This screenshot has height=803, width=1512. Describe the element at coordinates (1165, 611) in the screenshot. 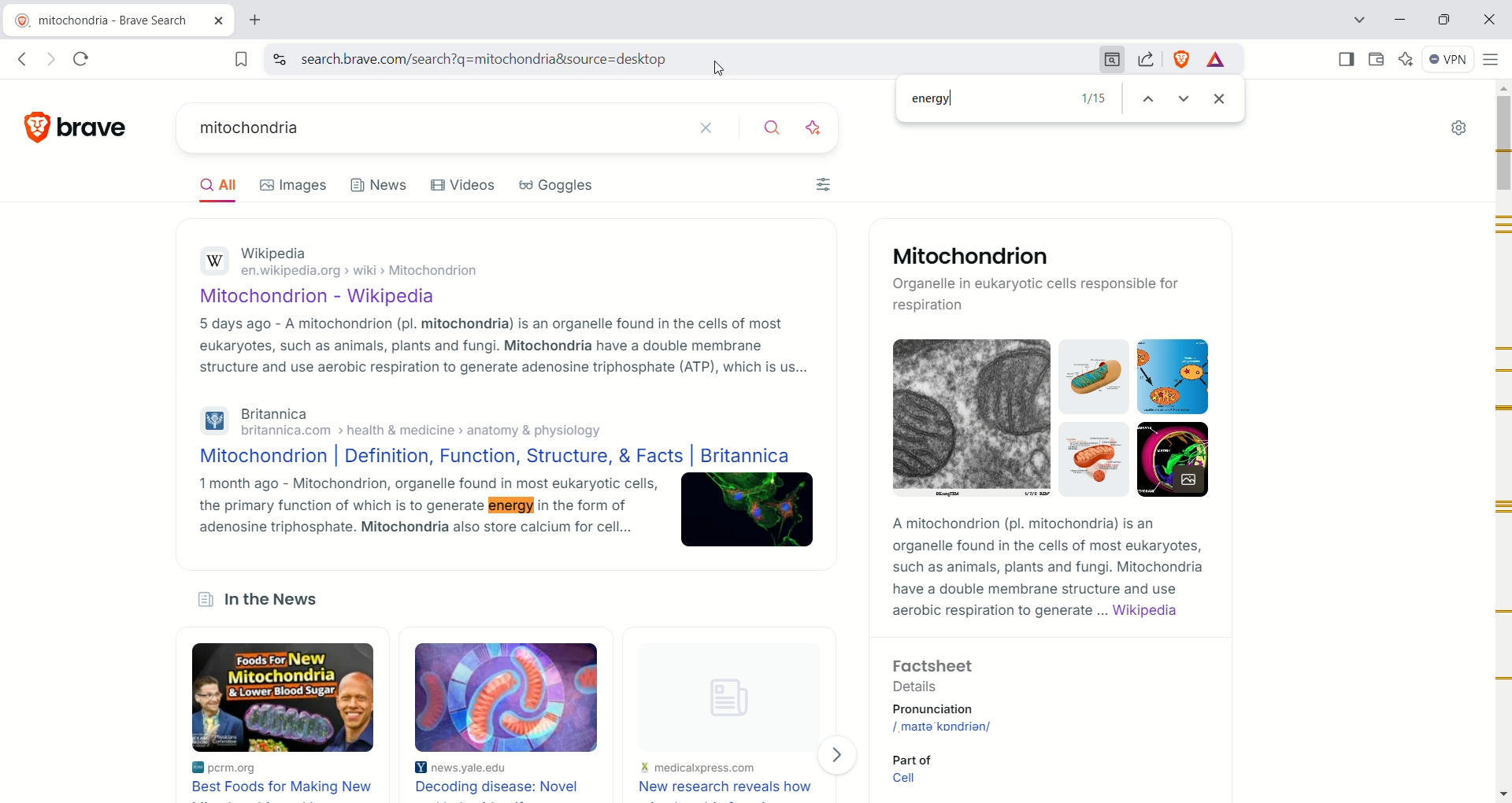

I see `Wikipedia` at that location.